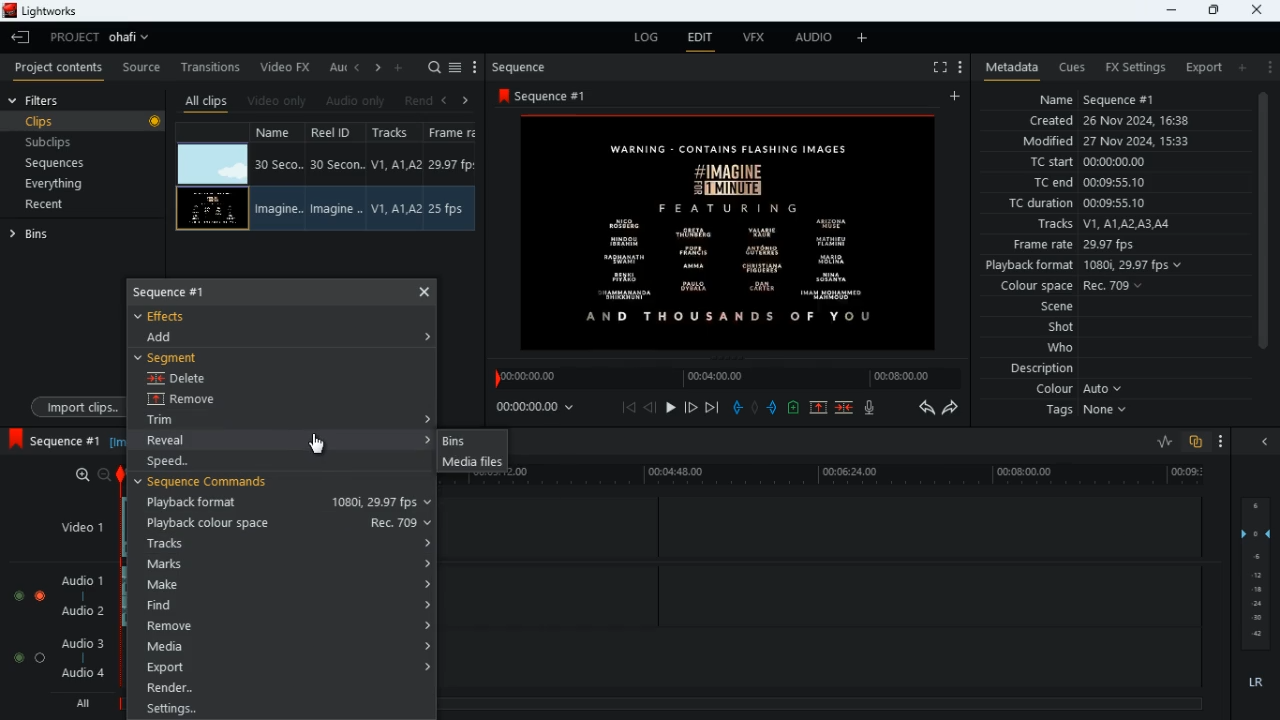  Describe the element at coordinates (1260, 575) in the screenshot. I see `layers` at that location.